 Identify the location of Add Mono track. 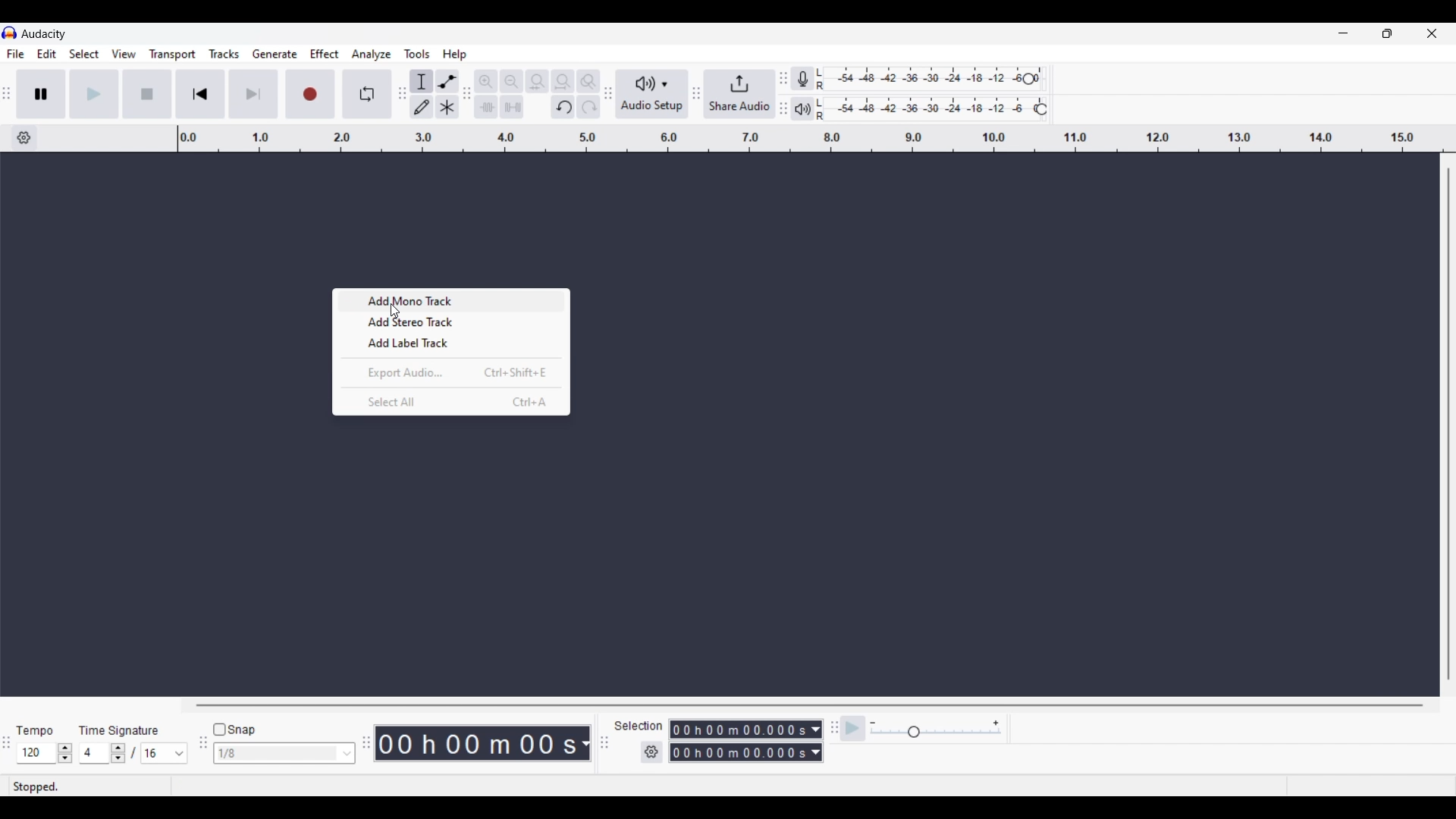
(446, 303).